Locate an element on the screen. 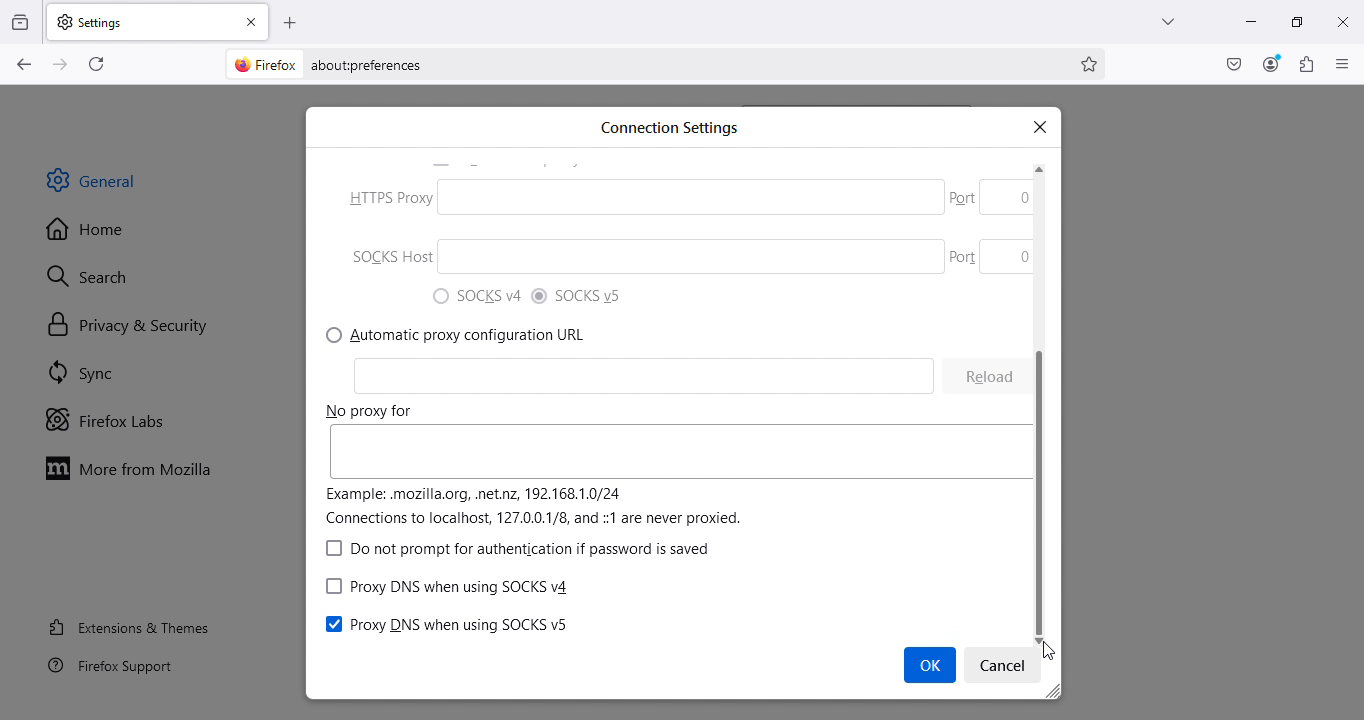 This screenshot has height=720, width=1364. Address bar is located at coordinates (690, 64).